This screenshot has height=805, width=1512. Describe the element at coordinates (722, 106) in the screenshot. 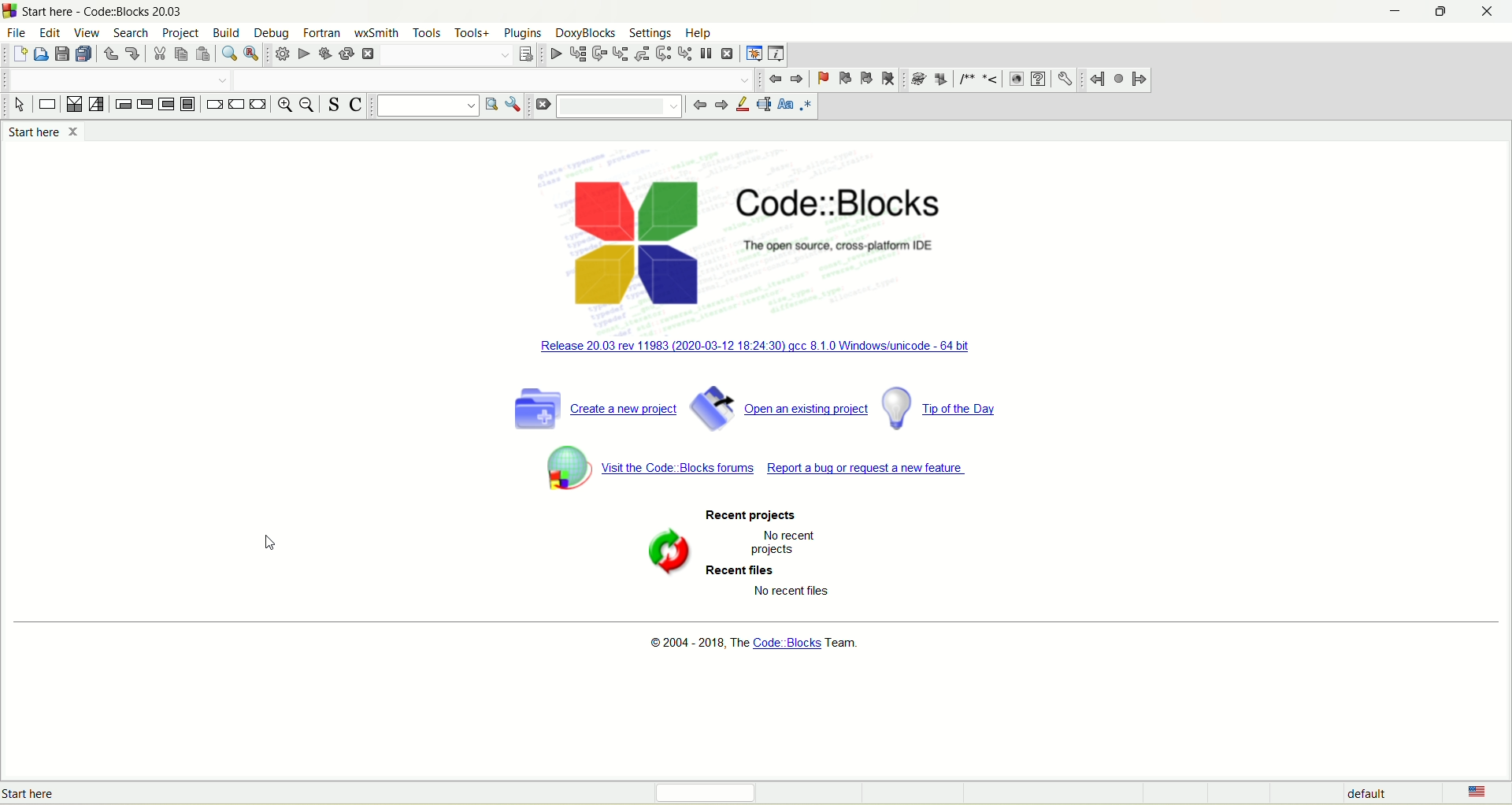

I see `forward` at that location.